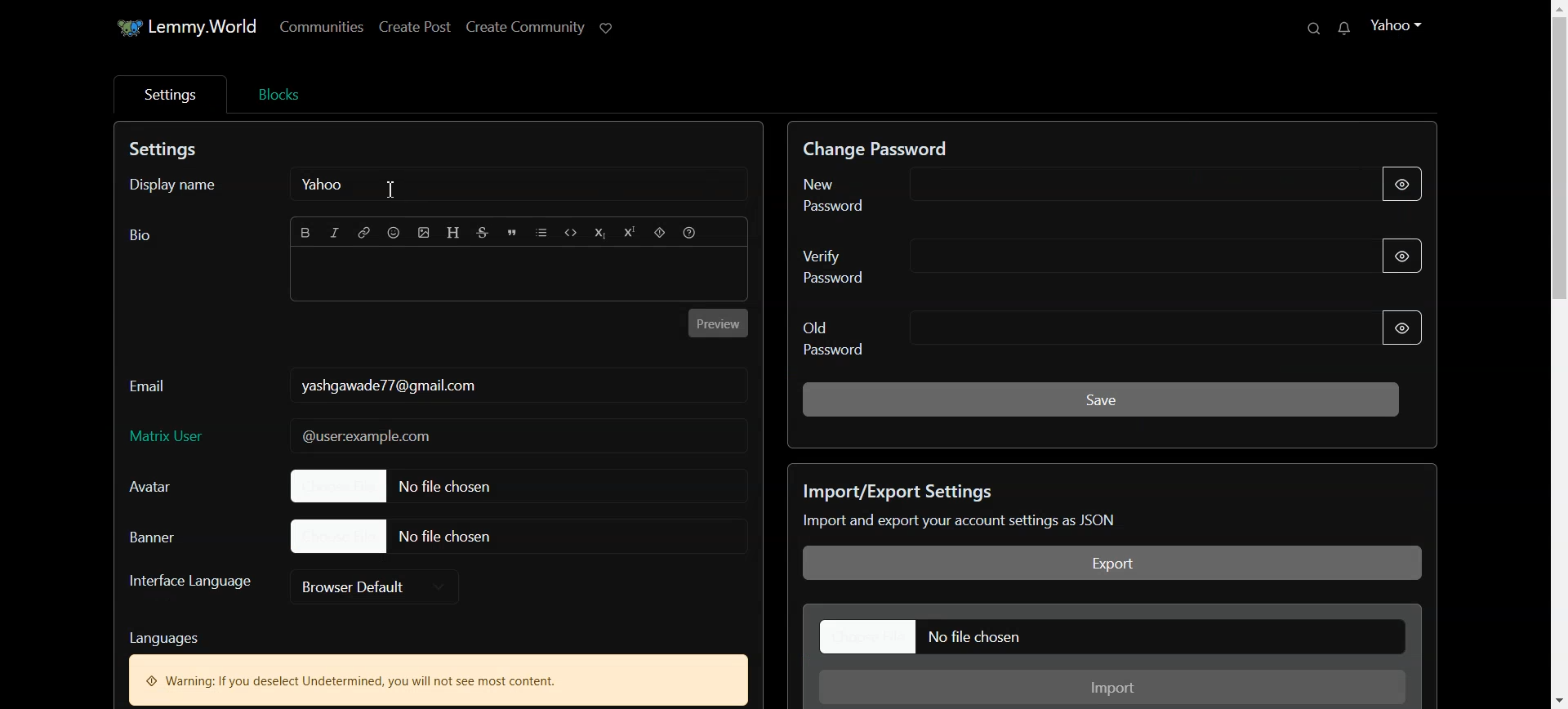 The height and width of the screenshot is (709, 1568). Describe the element at coordinates (326, 26) in the screenshot. I see `communities` at that location.